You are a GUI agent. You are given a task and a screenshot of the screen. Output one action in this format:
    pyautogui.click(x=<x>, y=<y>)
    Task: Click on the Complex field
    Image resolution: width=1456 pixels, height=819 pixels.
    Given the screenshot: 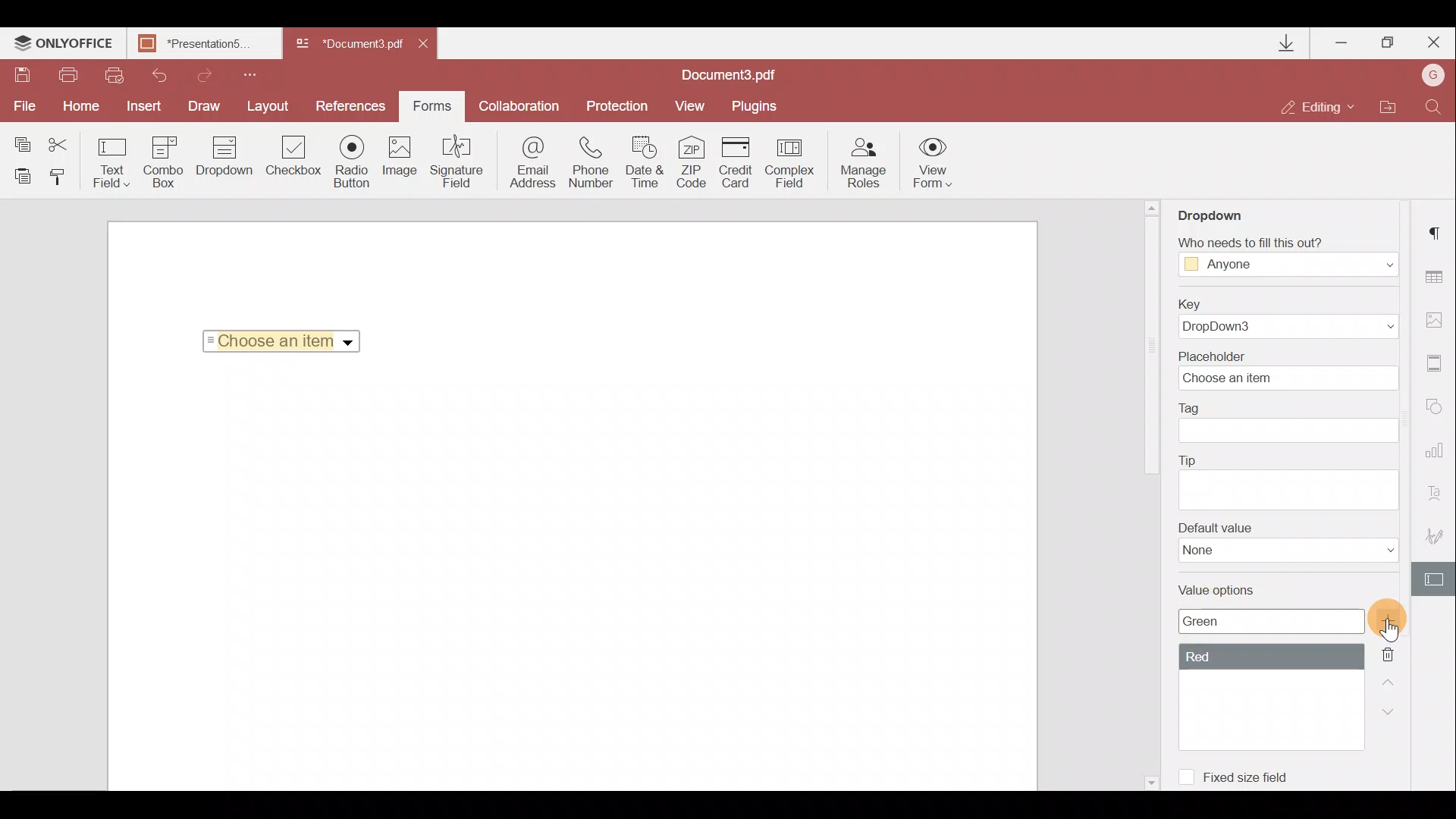 What is the action you would take?
    pyautogui.click(x=791, y=162)
    